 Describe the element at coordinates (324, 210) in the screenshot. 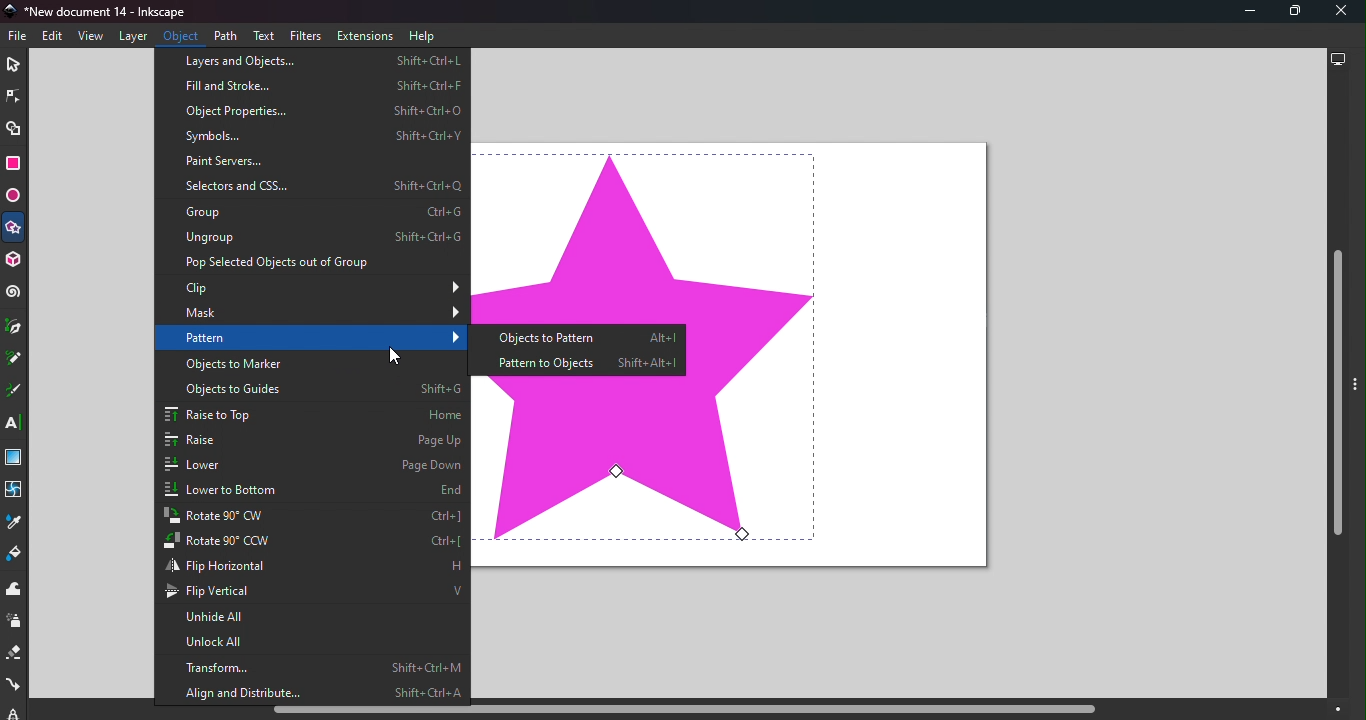

I see `Group` at that location.